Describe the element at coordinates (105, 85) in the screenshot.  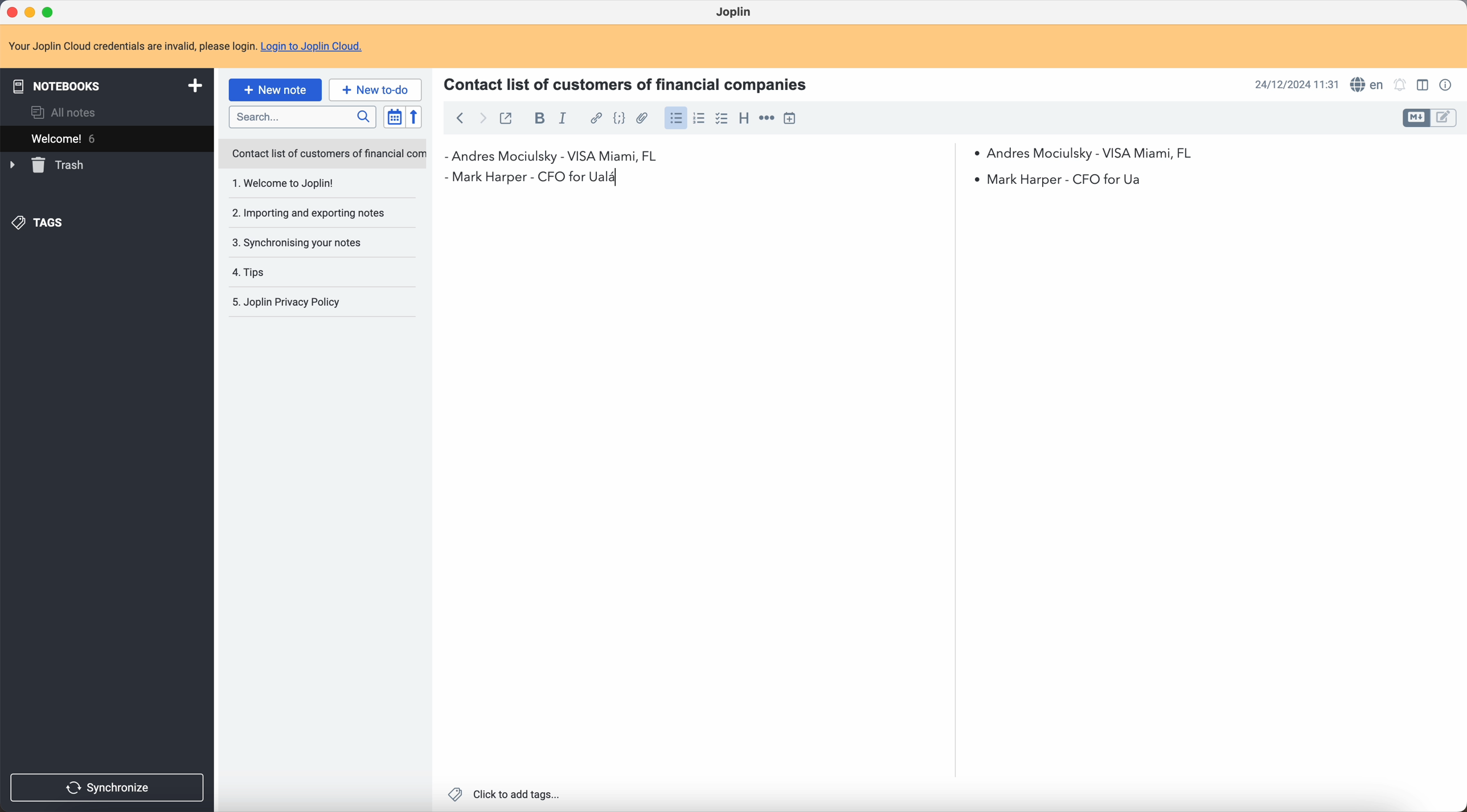
I see `notebooks` at that location.